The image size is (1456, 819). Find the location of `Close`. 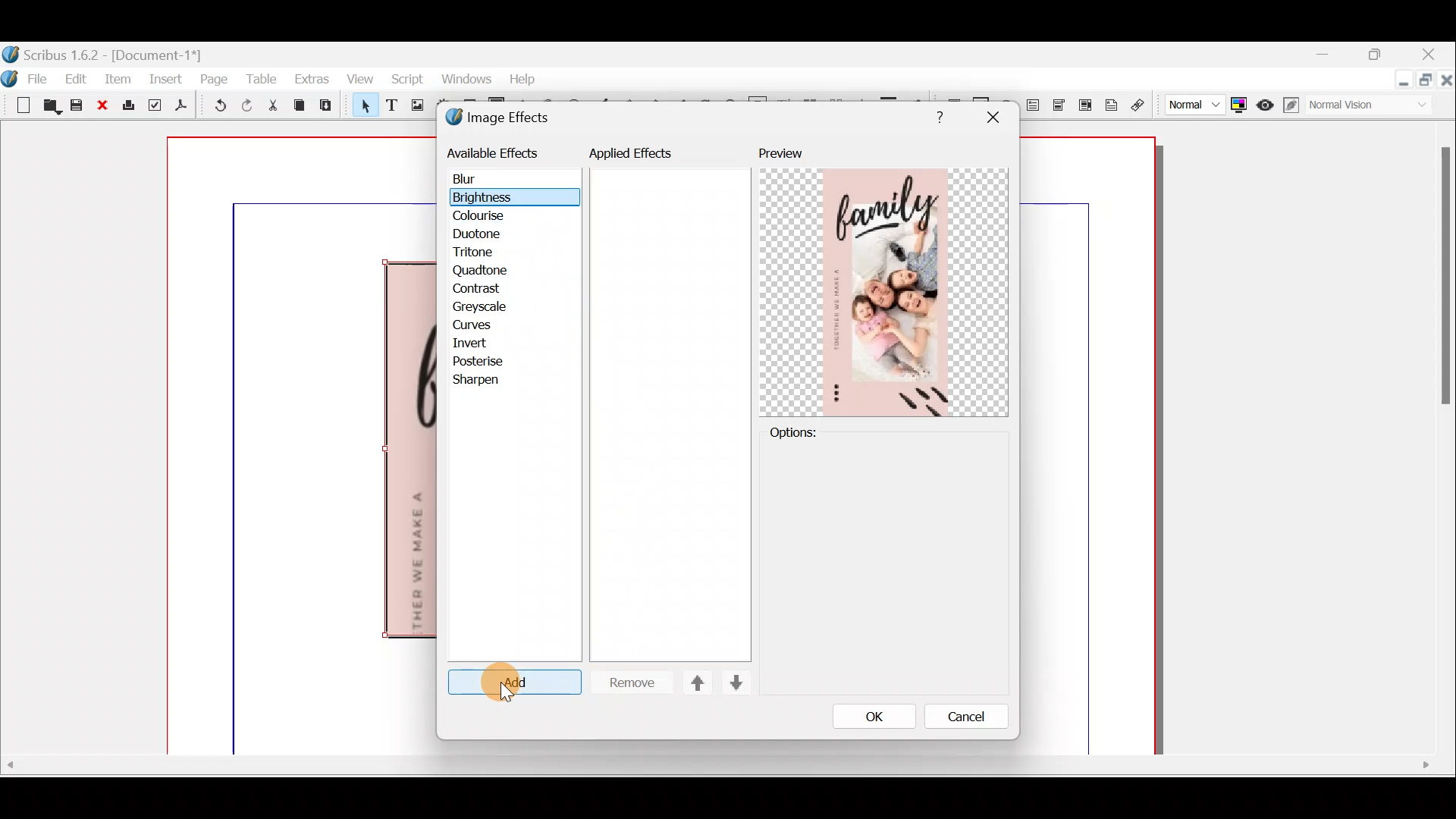

Close is located at coordinates (104, 106).